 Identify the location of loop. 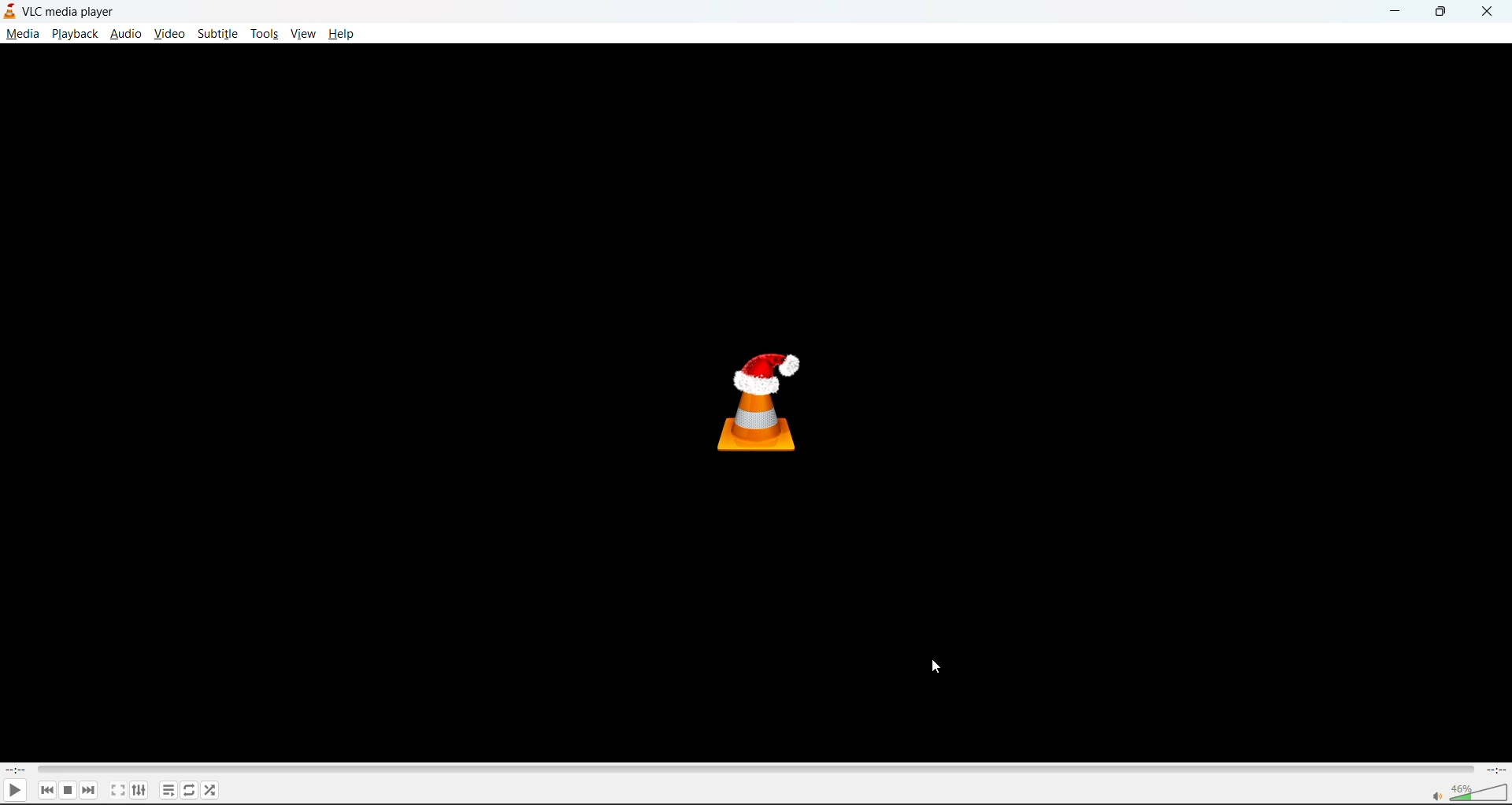
(187, 789).